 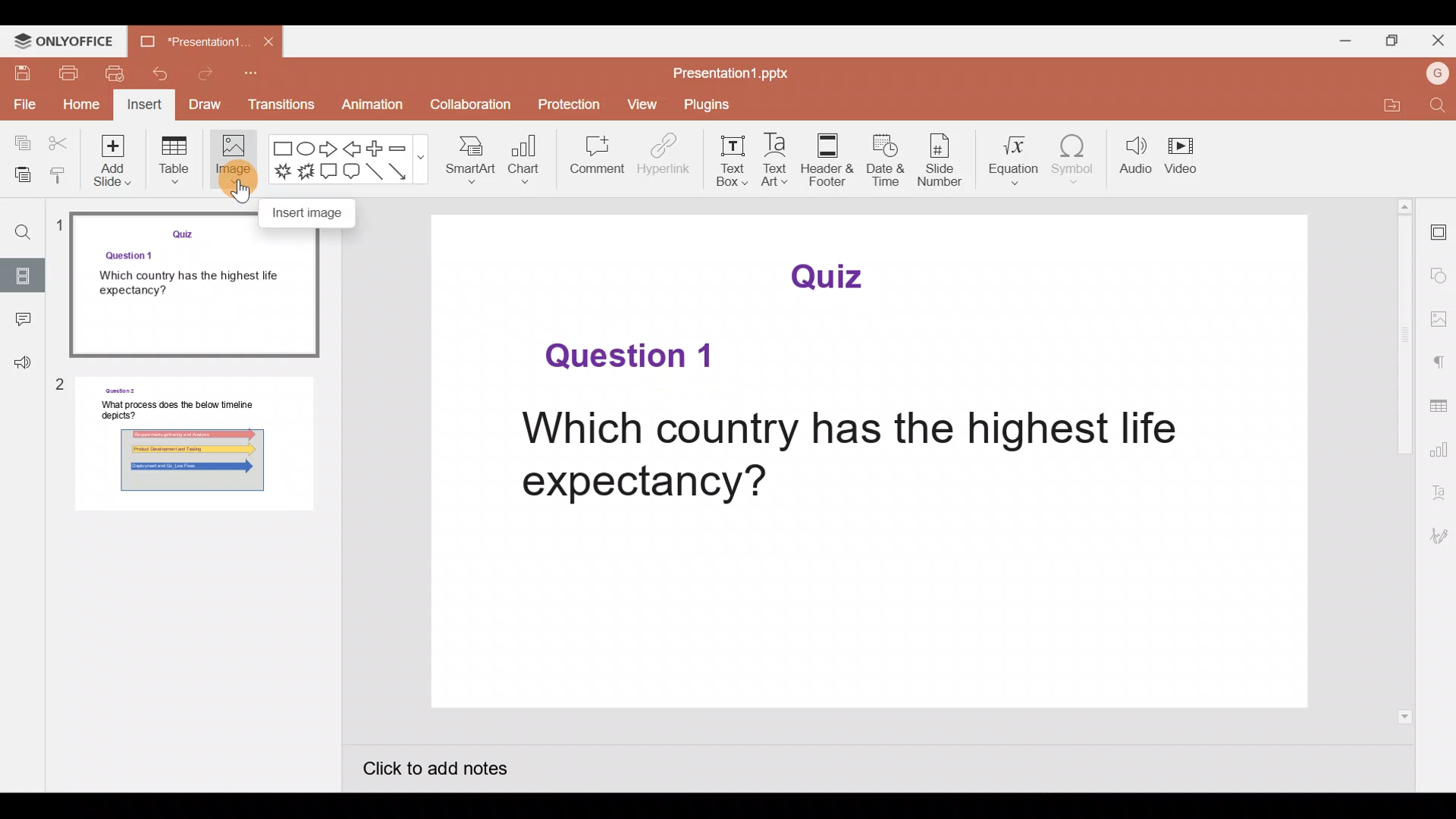 I want to click on Click to add notes, so click(x=450, y=772).